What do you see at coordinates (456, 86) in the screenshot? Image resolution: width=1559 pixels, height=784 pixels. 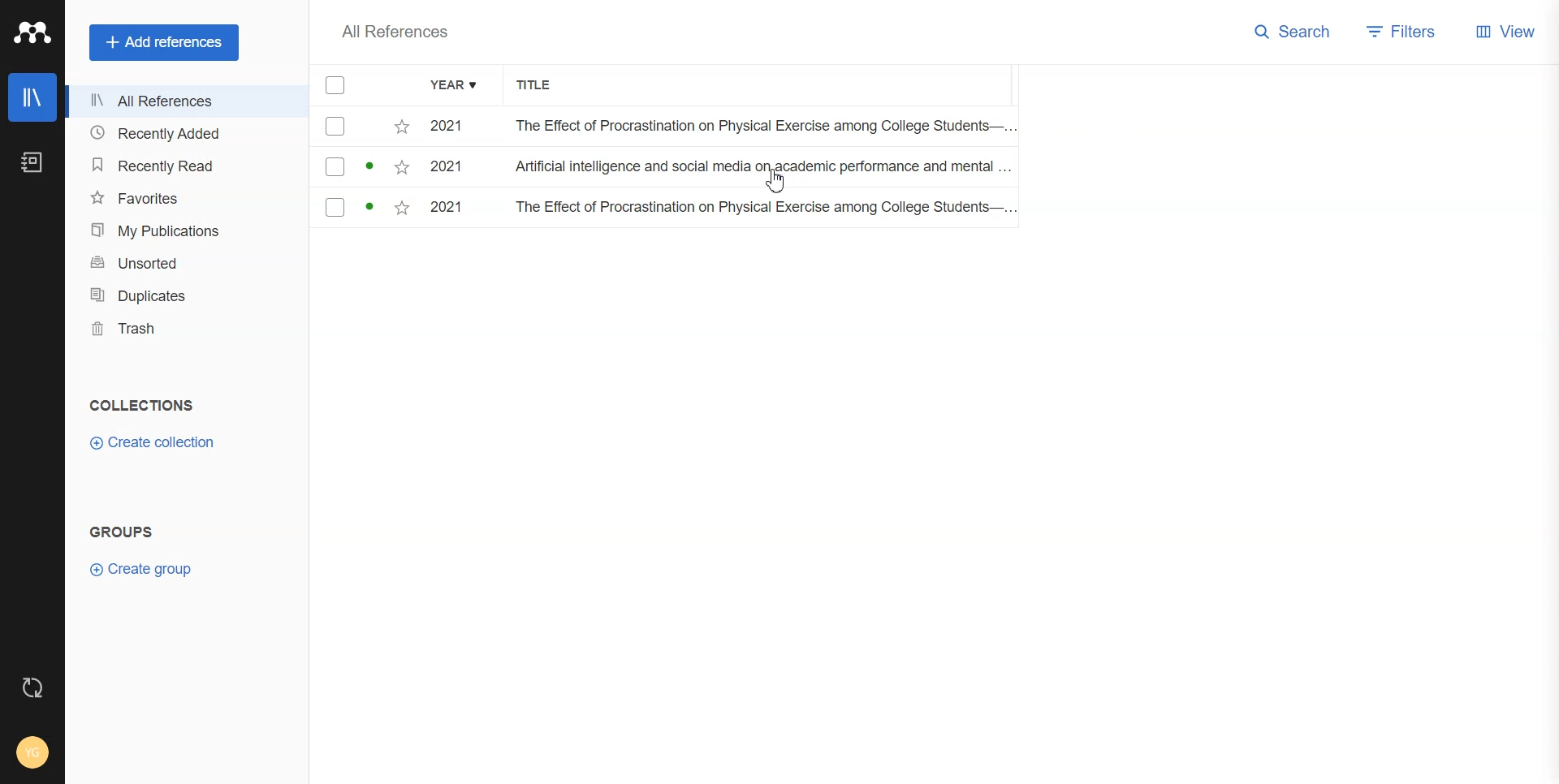 I see `Year` at bounding box center [456, 86].